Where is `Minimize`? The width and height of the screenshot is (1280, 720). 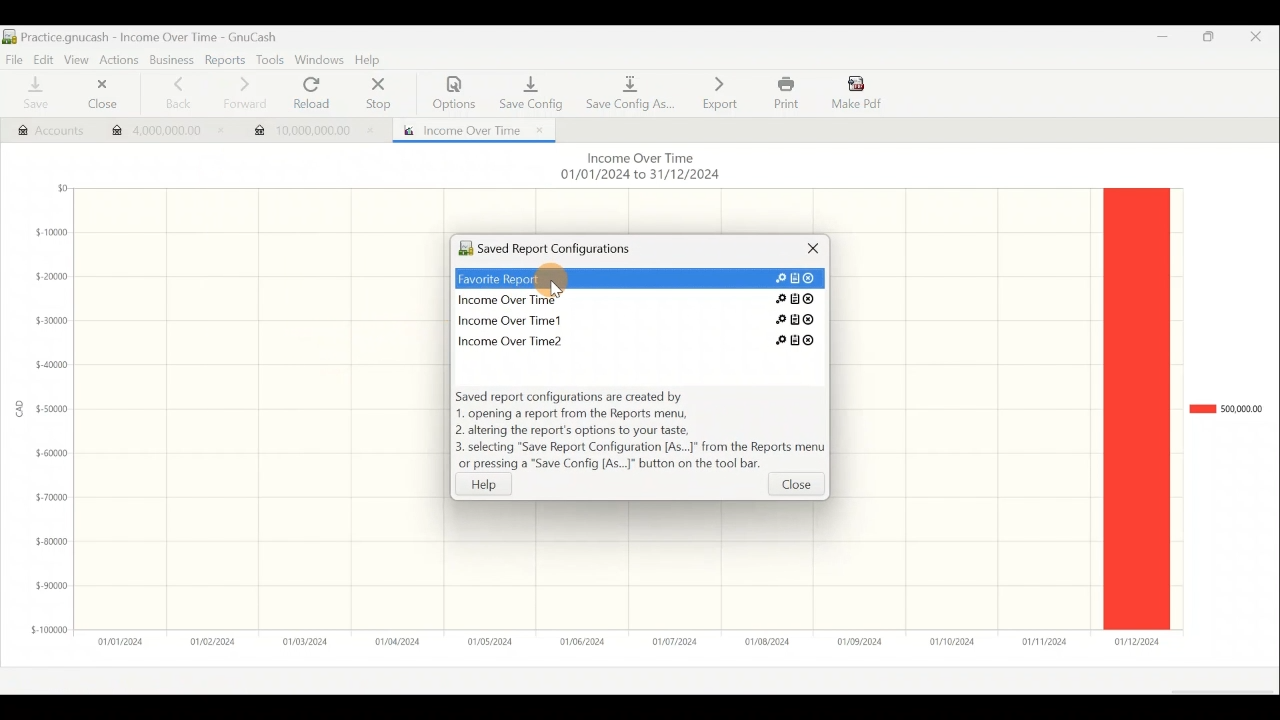 Minimize is located at coordinates (1156, 42).